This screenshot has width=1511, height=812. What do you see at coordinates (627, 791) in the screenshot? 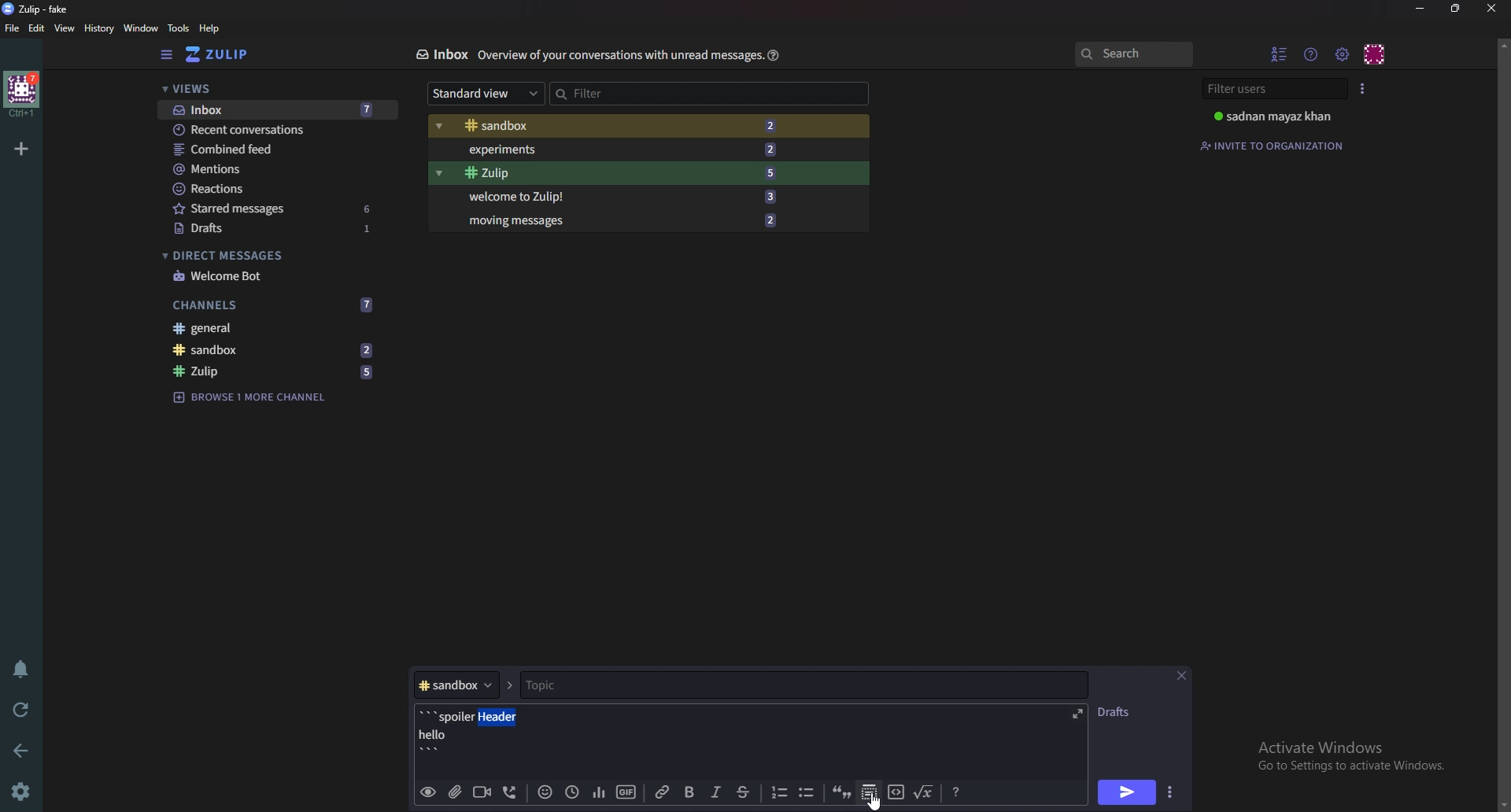
I see `gif` at bounding box center [627, 791].